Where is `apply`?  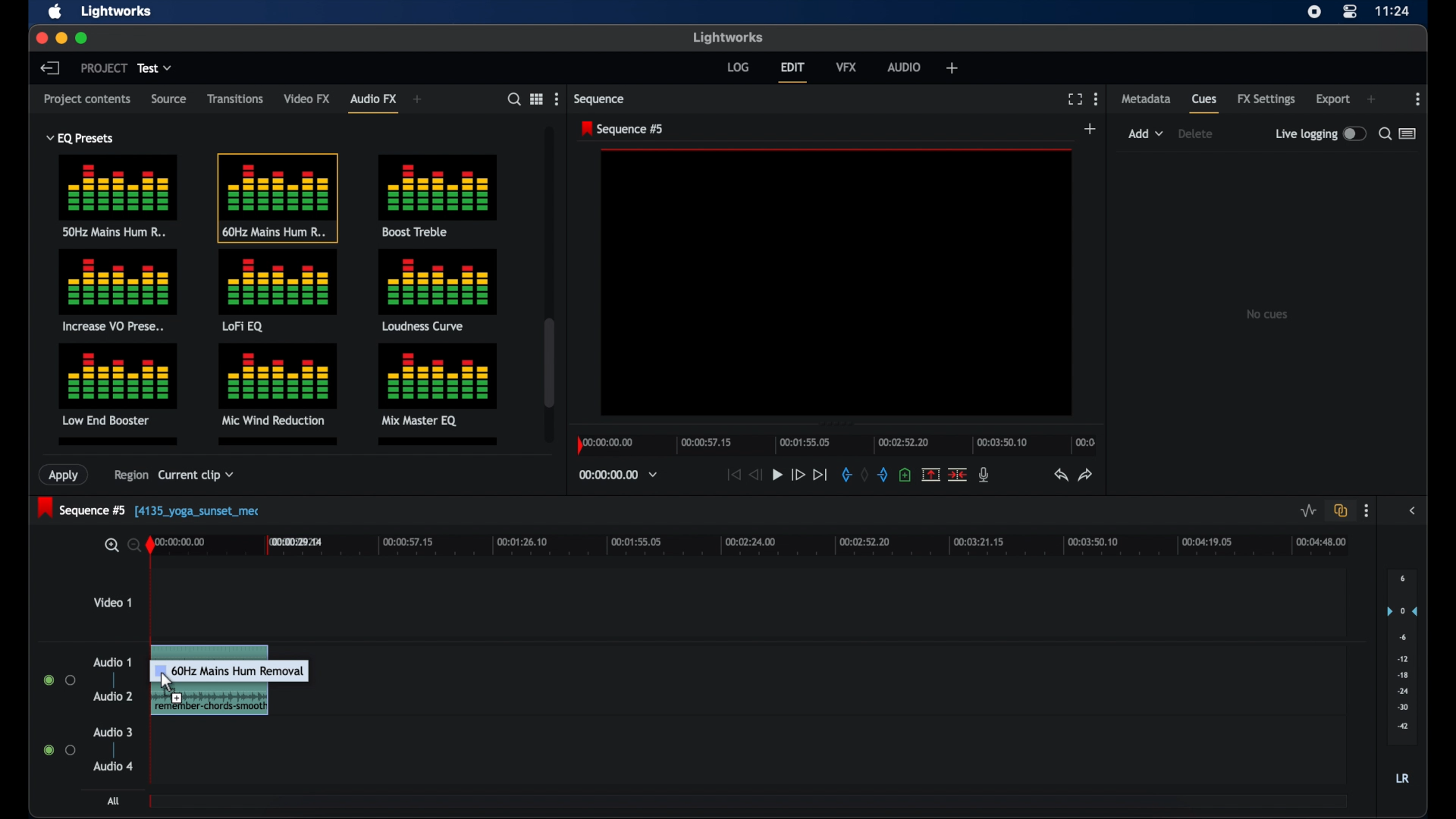 apply is located at coordinates (66, 475).